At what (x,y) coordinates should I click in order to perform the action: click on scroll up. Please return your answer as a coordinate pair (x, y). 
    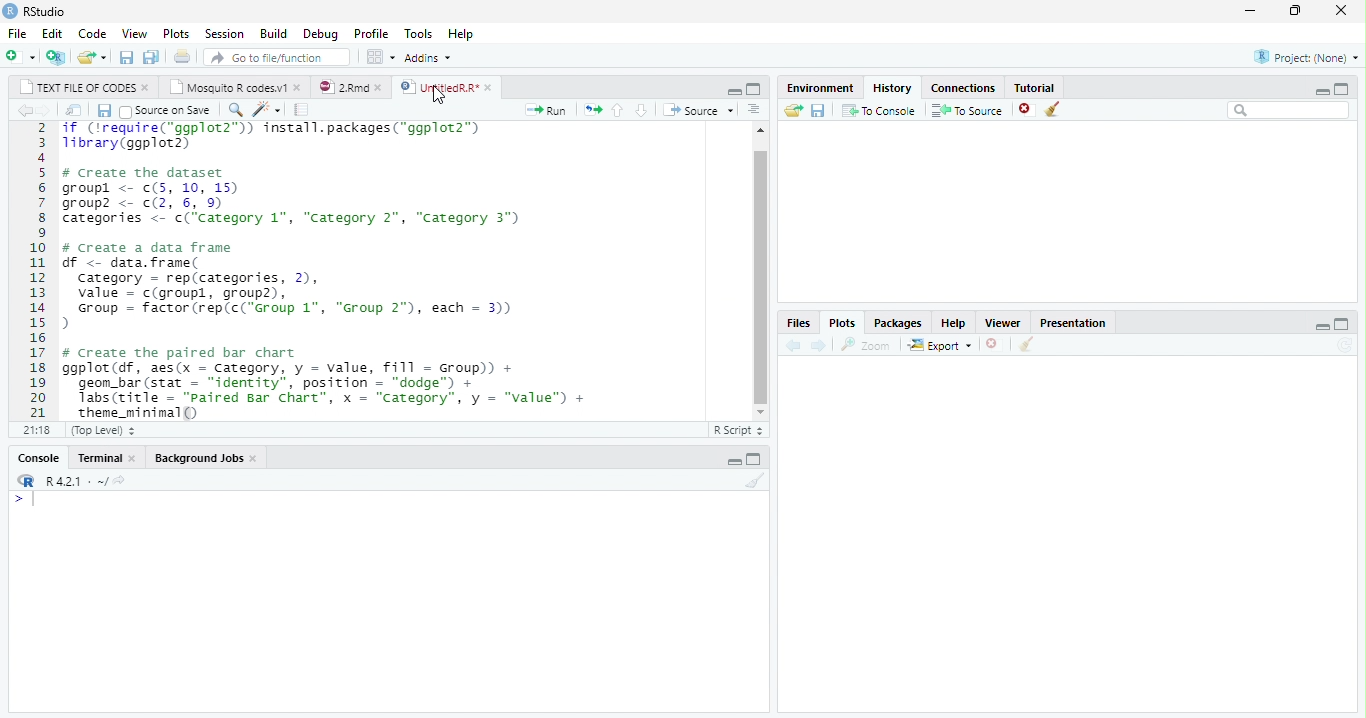
    Looking at the image, I should click on (761, 130).